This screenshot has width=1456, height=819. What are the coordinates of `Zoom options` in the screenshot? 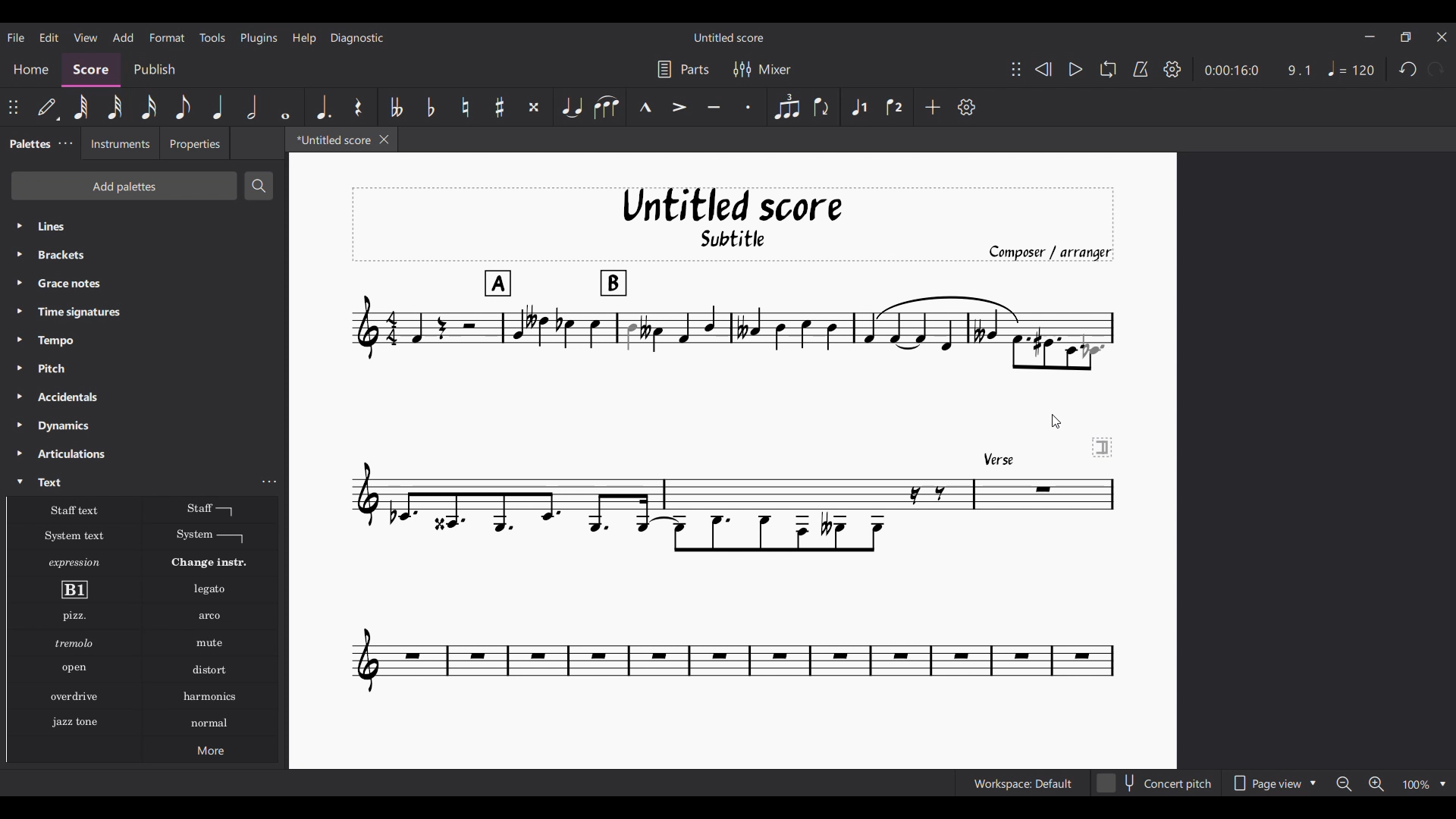 It's located at (1425, 783).